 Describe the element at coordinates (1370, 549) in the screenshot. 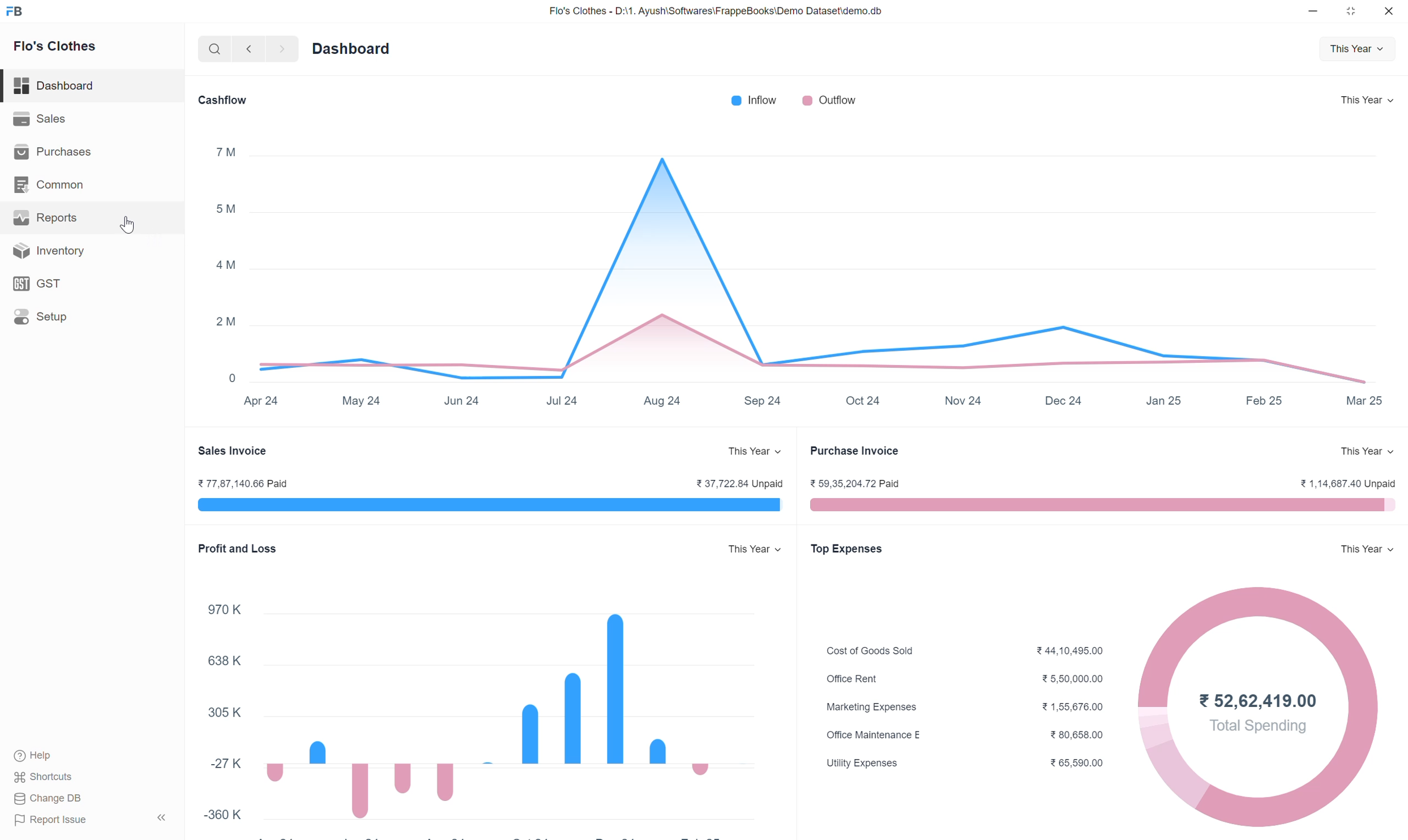

I see `This Year ` at that location.